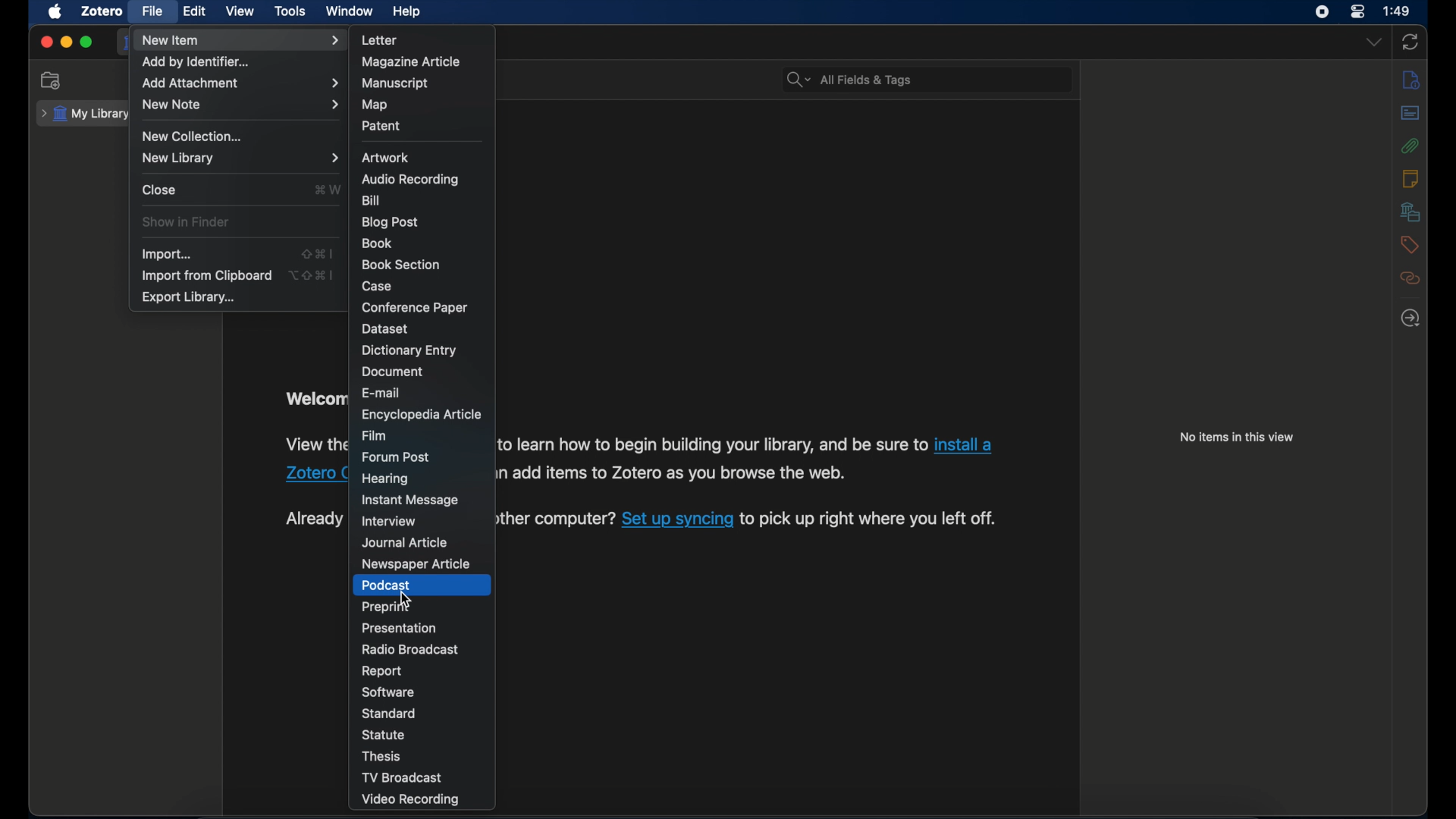 Image resolution: width=1456 pixels, height=819 pixels. What do you see at coordinates (967, 444) in the screenshot?
I see `install a` at bounding box center [967, 444].